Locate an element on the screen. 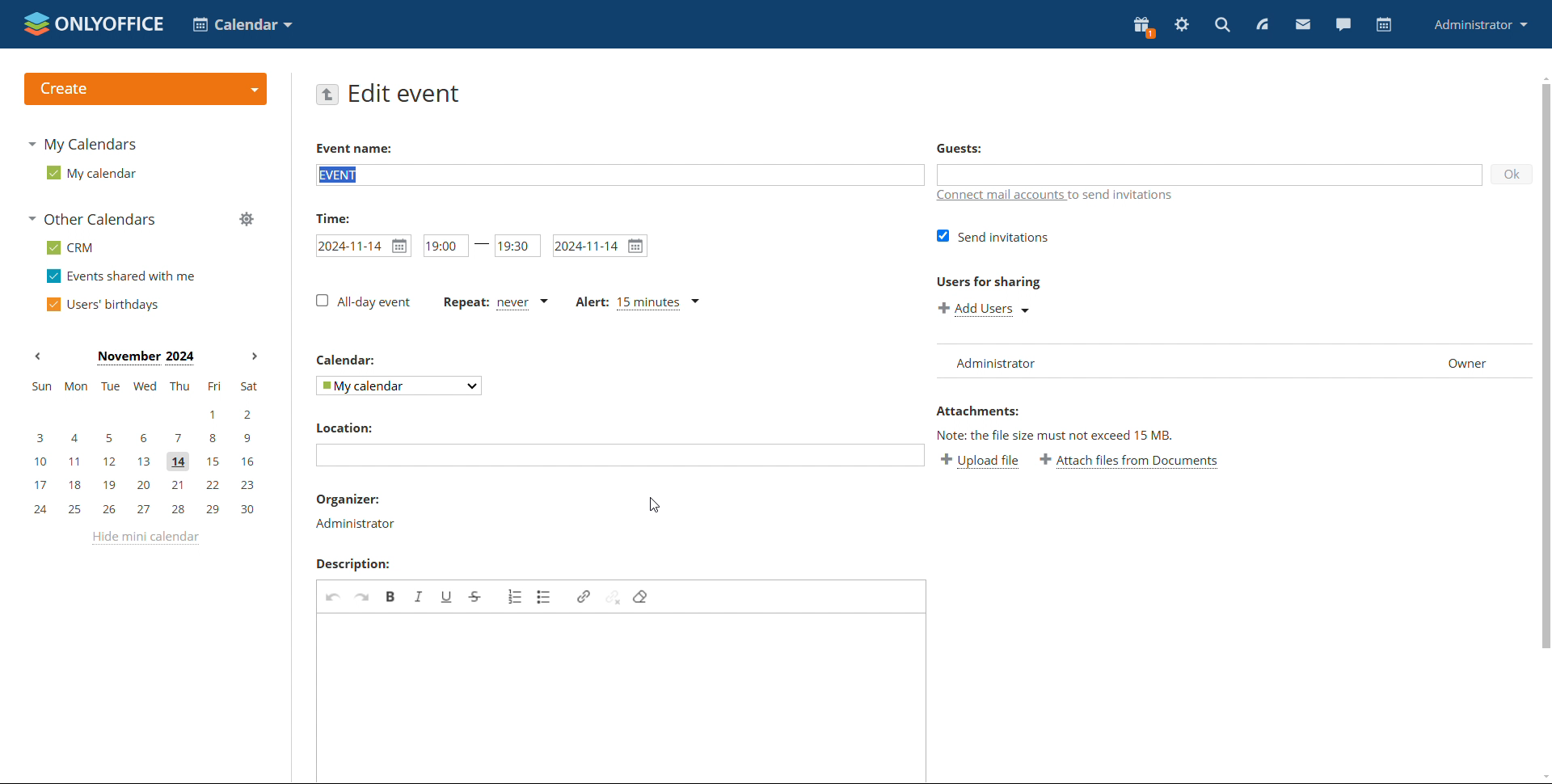 The width and height of the screenshot is (1552, 784). time is located at coordinates (339, 218).